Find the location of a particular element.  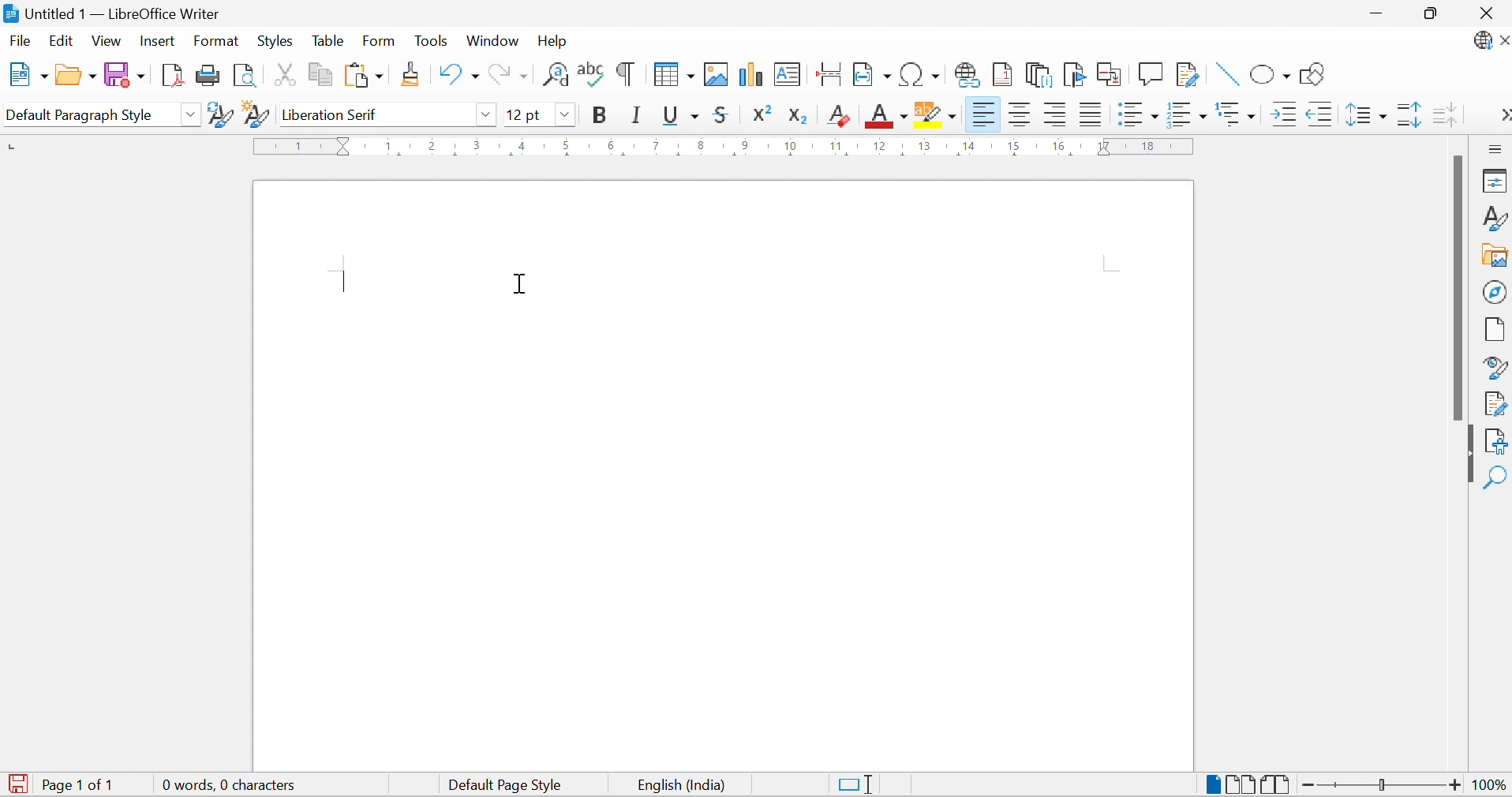

Default Paragraph Style is located at coordinates (80, 114).